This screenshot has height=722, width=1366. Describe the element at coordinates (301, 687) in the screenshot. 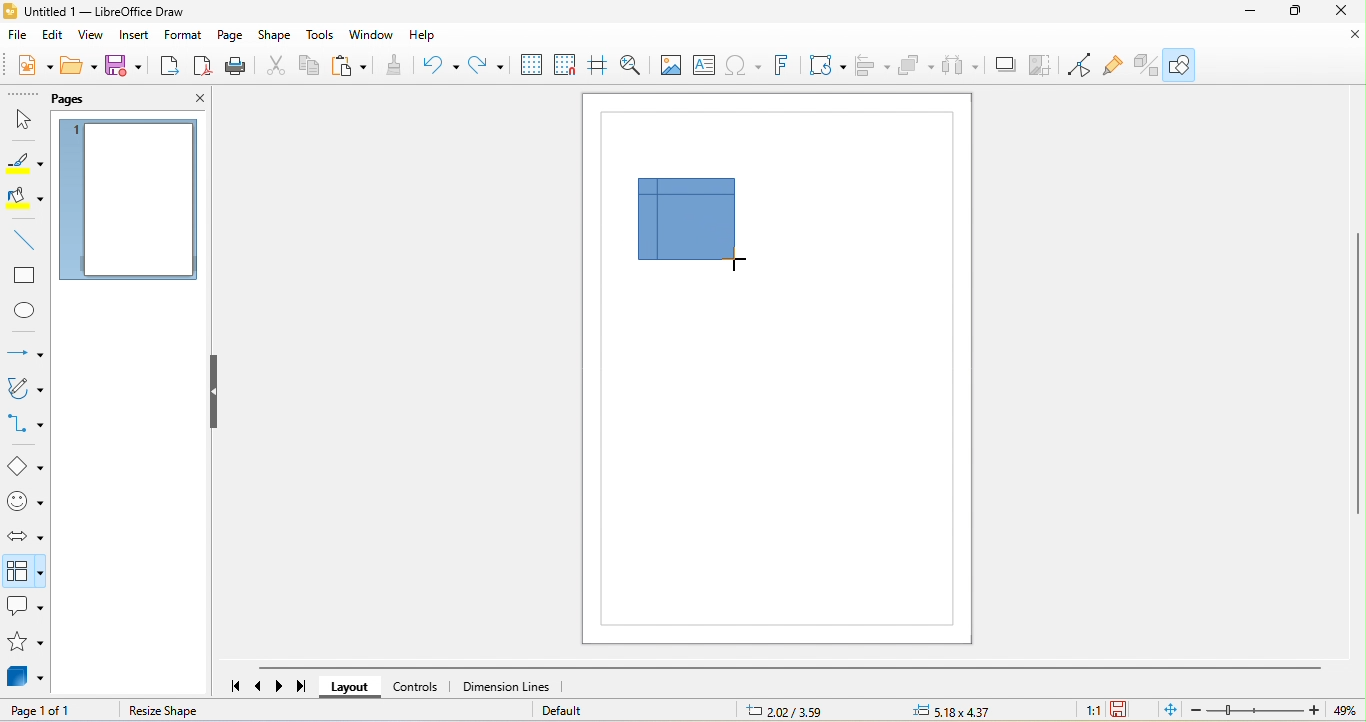

I see `scroll to last page` at that location.